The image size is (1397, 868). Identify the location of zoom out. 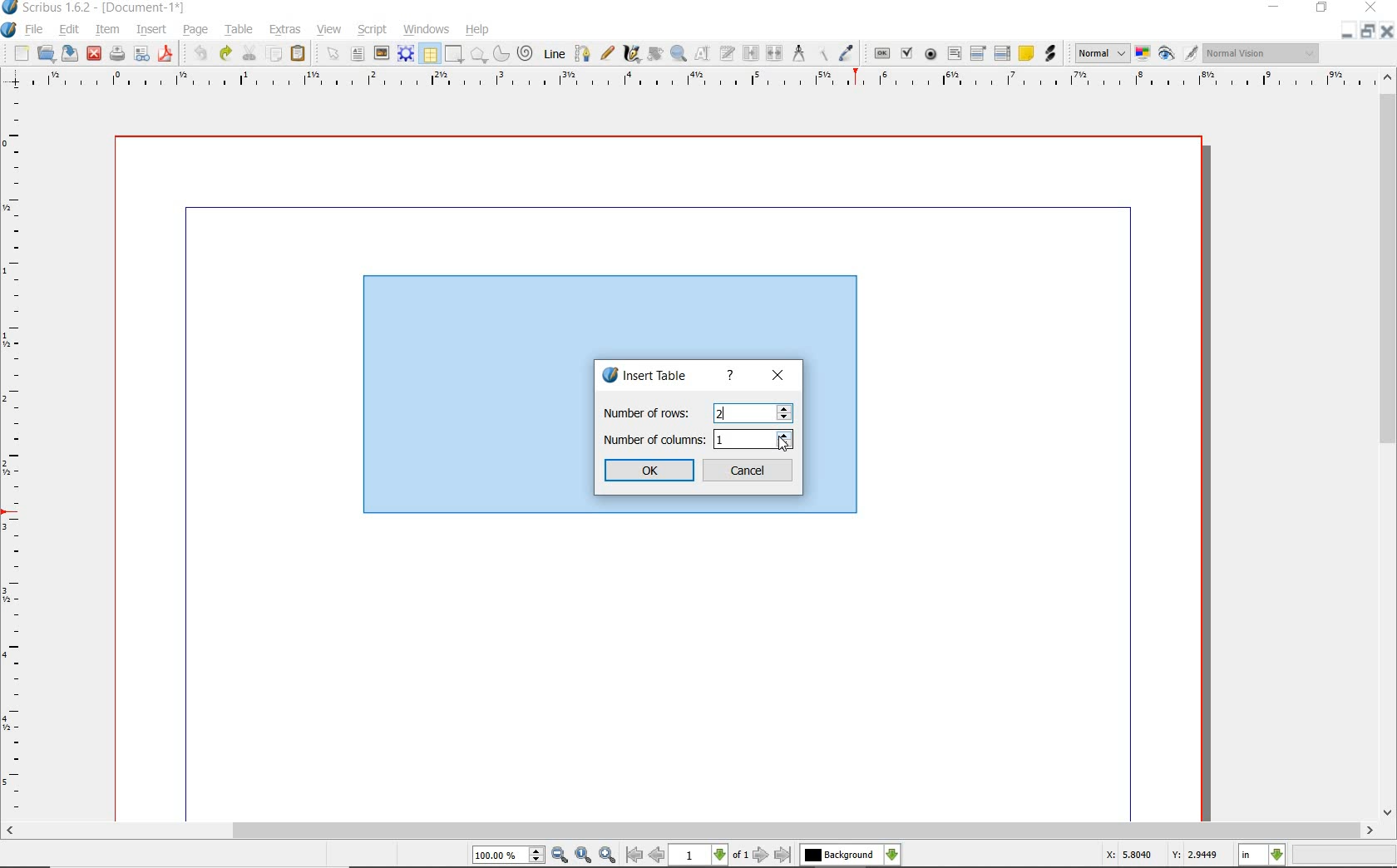
(560, 856).